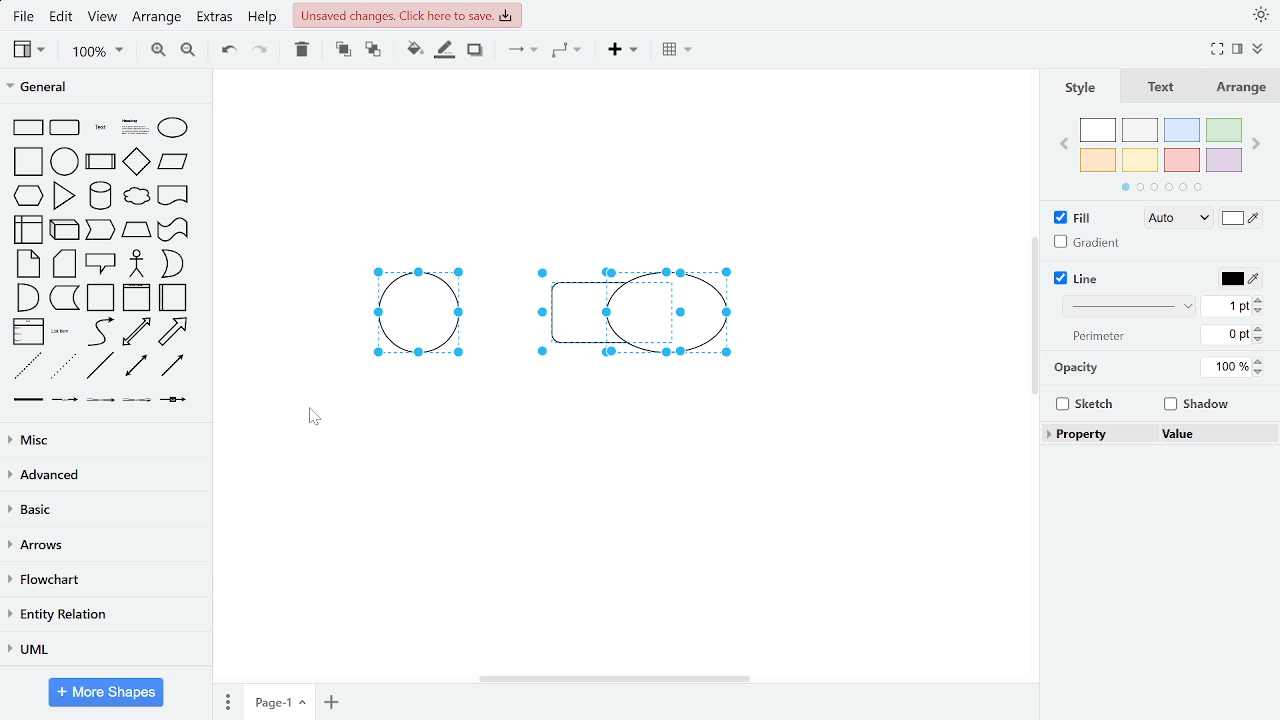 Image resolution: width=1280 pixels, height=720 pixels. I want to click on triangle, so click(64, 196).